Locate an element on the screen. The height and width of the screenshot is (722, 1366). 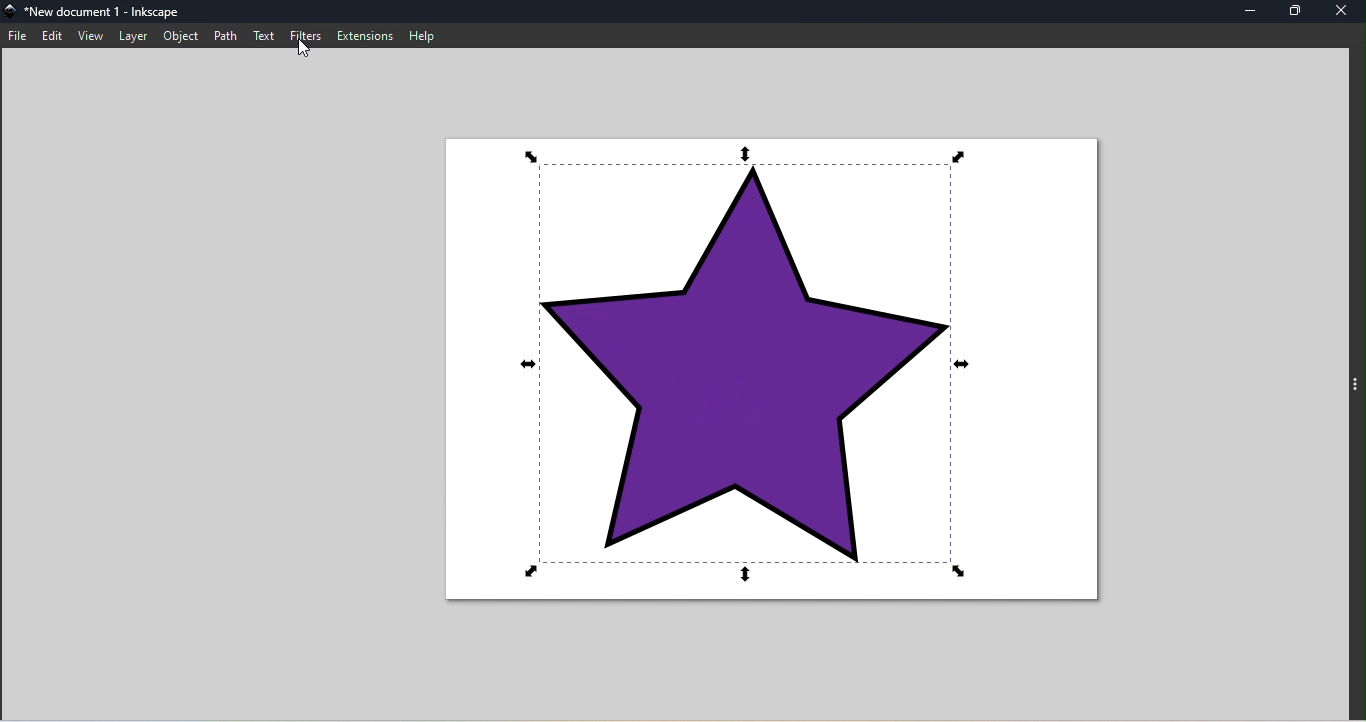
Canvas with object star is located at coordinates (763, 379).